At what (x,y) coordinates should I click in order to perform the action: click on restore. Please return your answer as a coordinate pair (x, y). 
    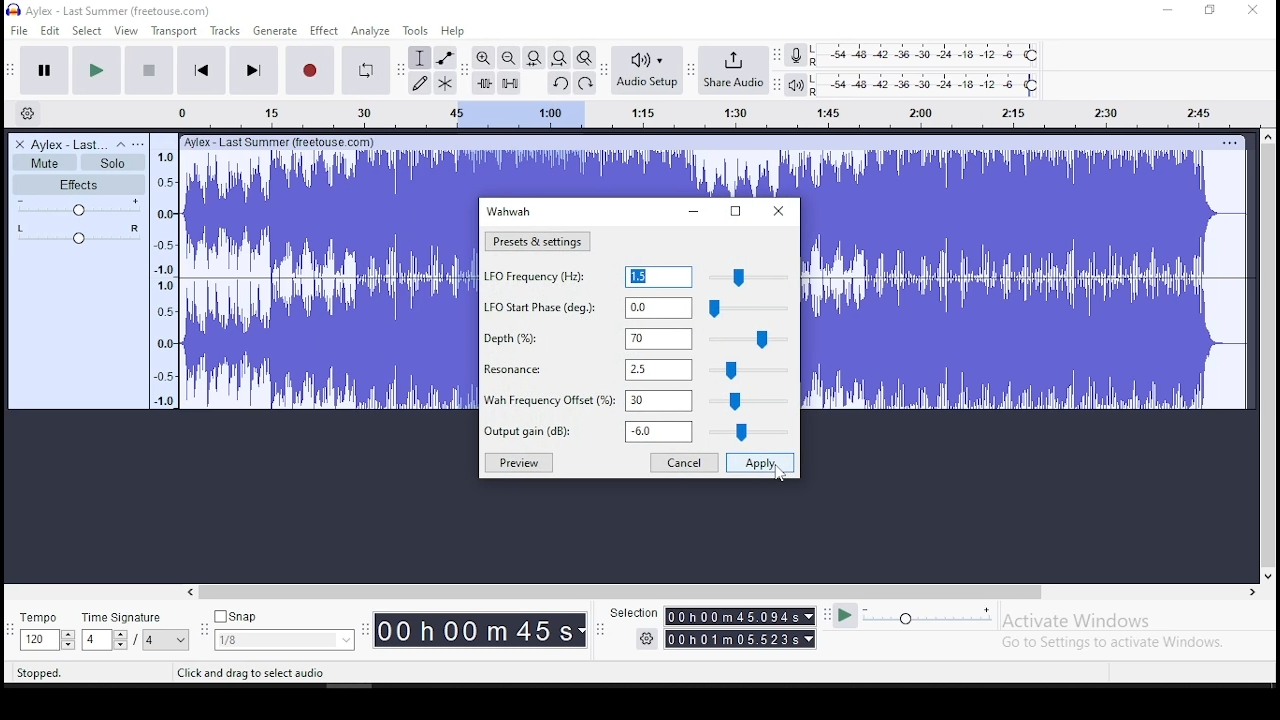
    Looking at the image, I should click on (1210, 11).